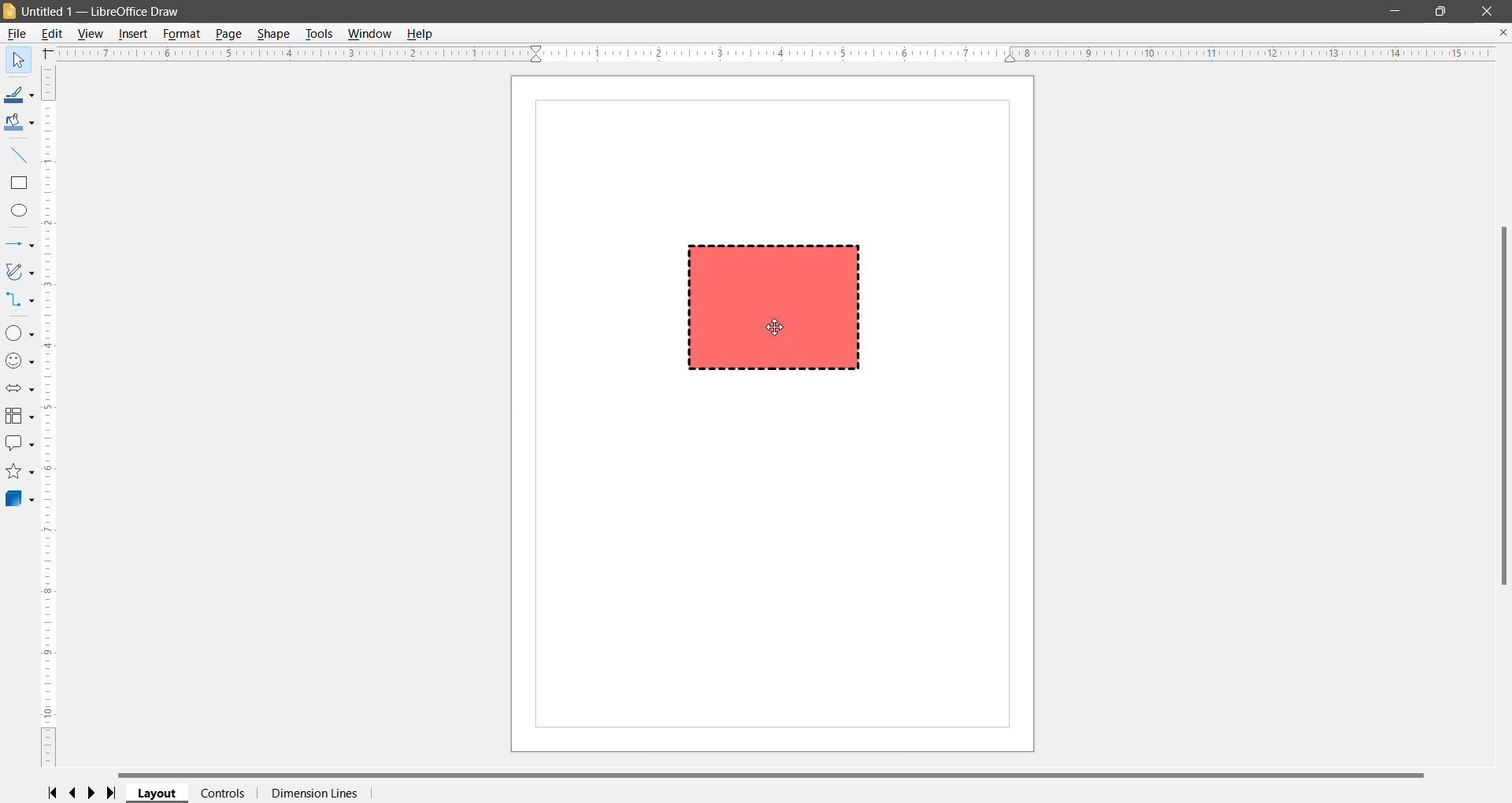 This screenshot has height=803, width=1512. Describe the element at coordinates (20, 389) in the screenshot. I see `Block Arrows` at that location.